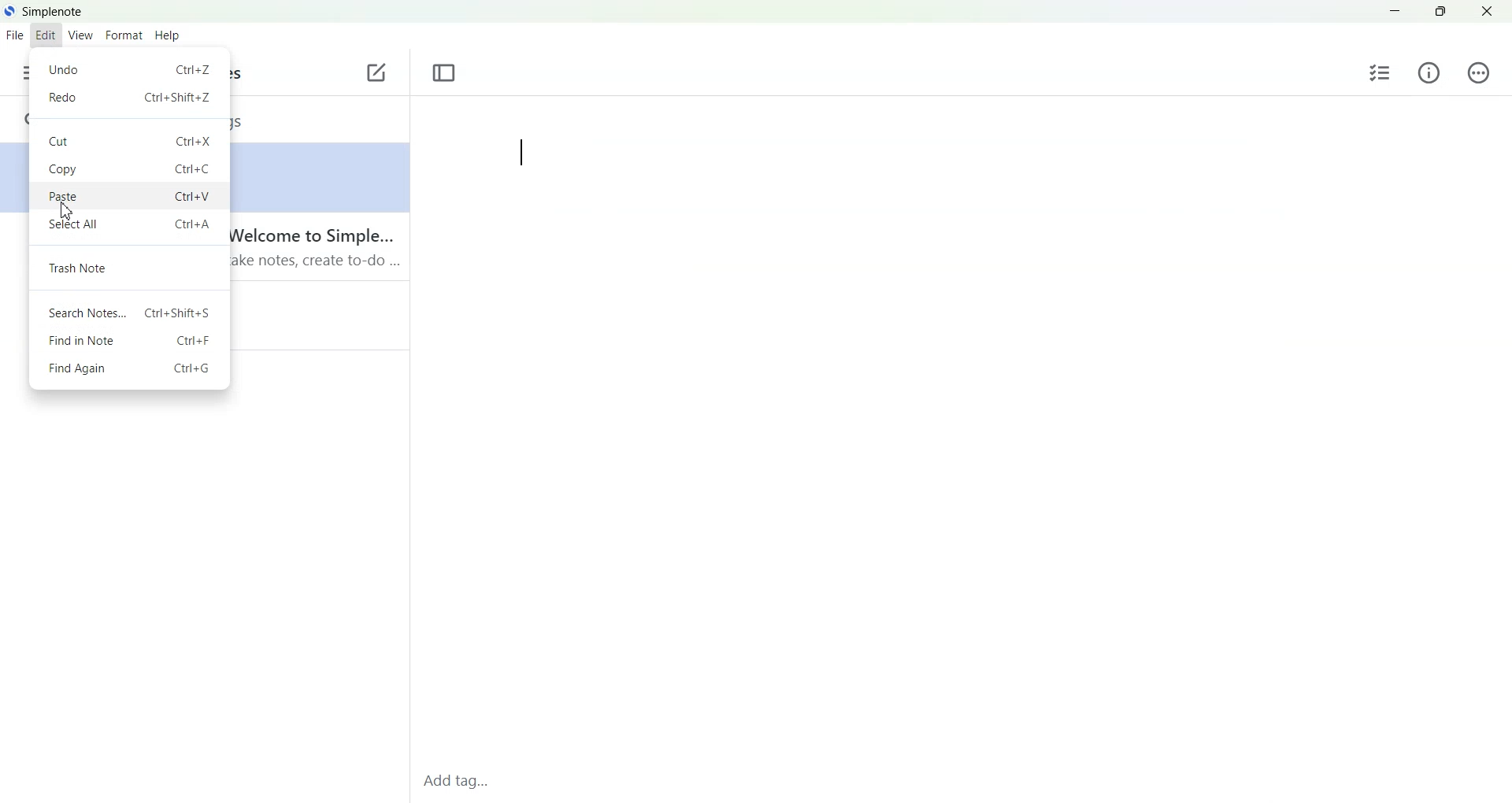  What do you see at coordinates (1487, 12) in the screenshot?
I see `Close` at bounding box center [1487, 12].